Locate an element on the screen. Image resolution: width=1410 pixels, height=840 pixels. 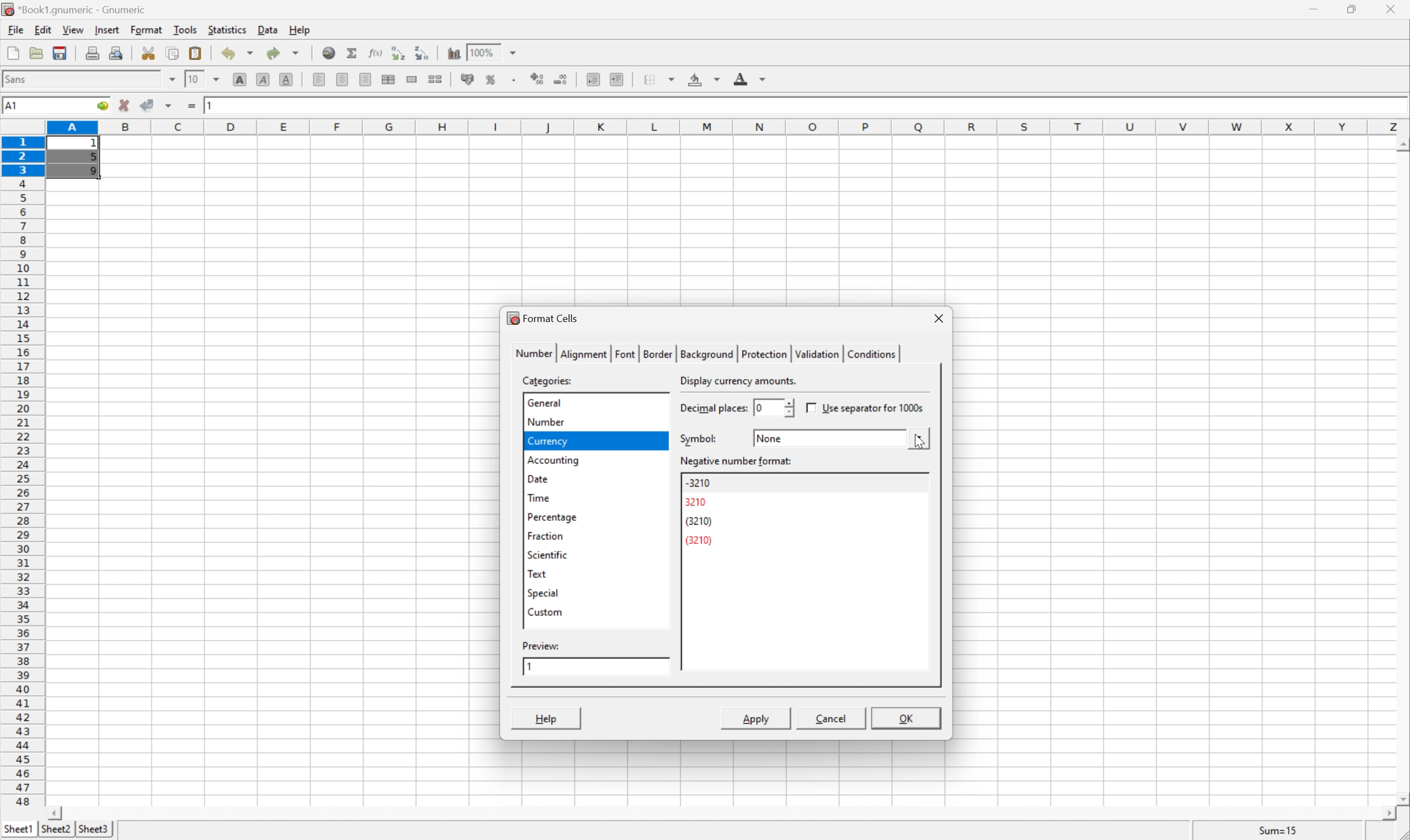
5 is located at coordinates (93, 158).